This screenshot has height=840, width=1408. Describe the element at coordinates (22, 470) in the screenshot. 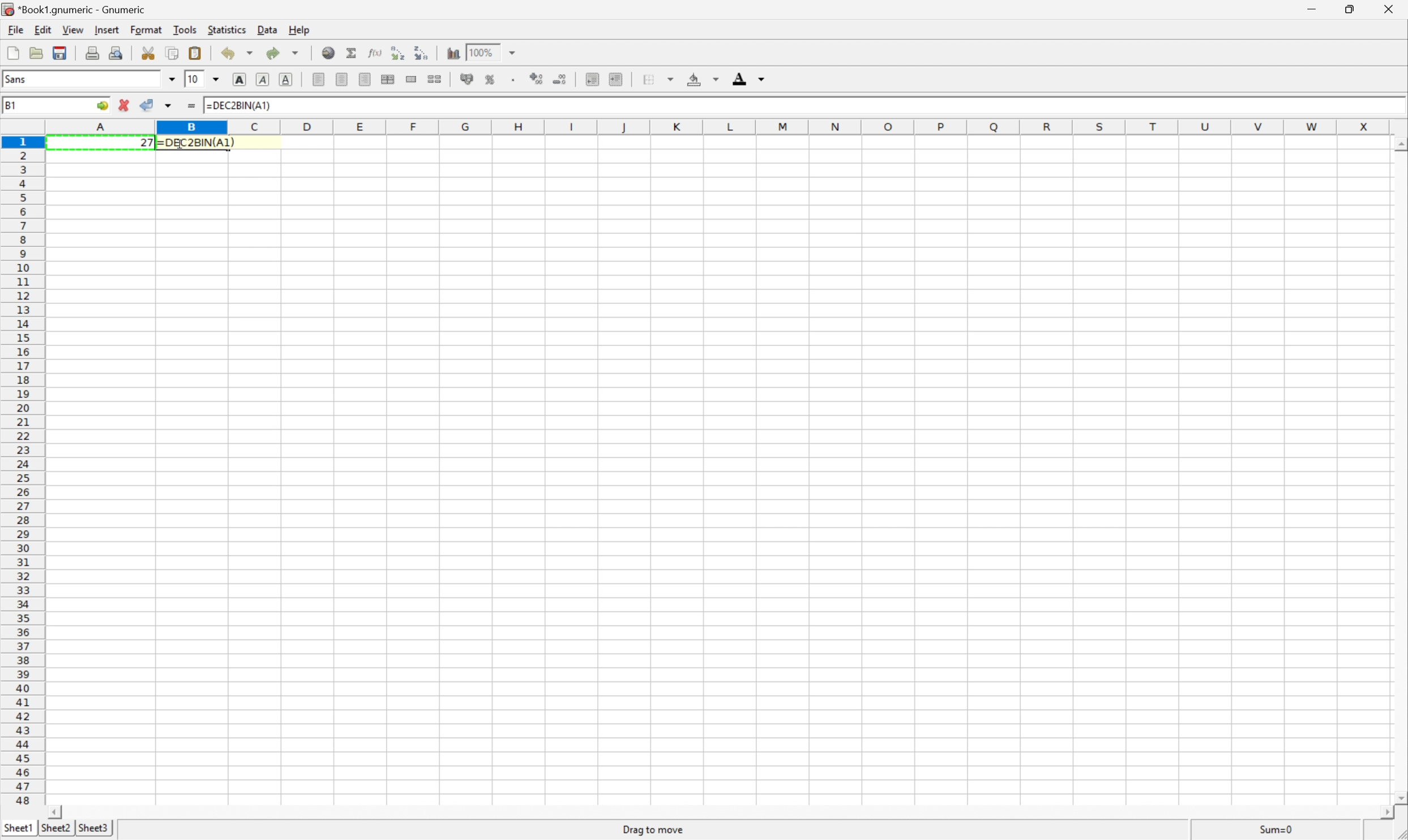

I see `Row Number` at that location.